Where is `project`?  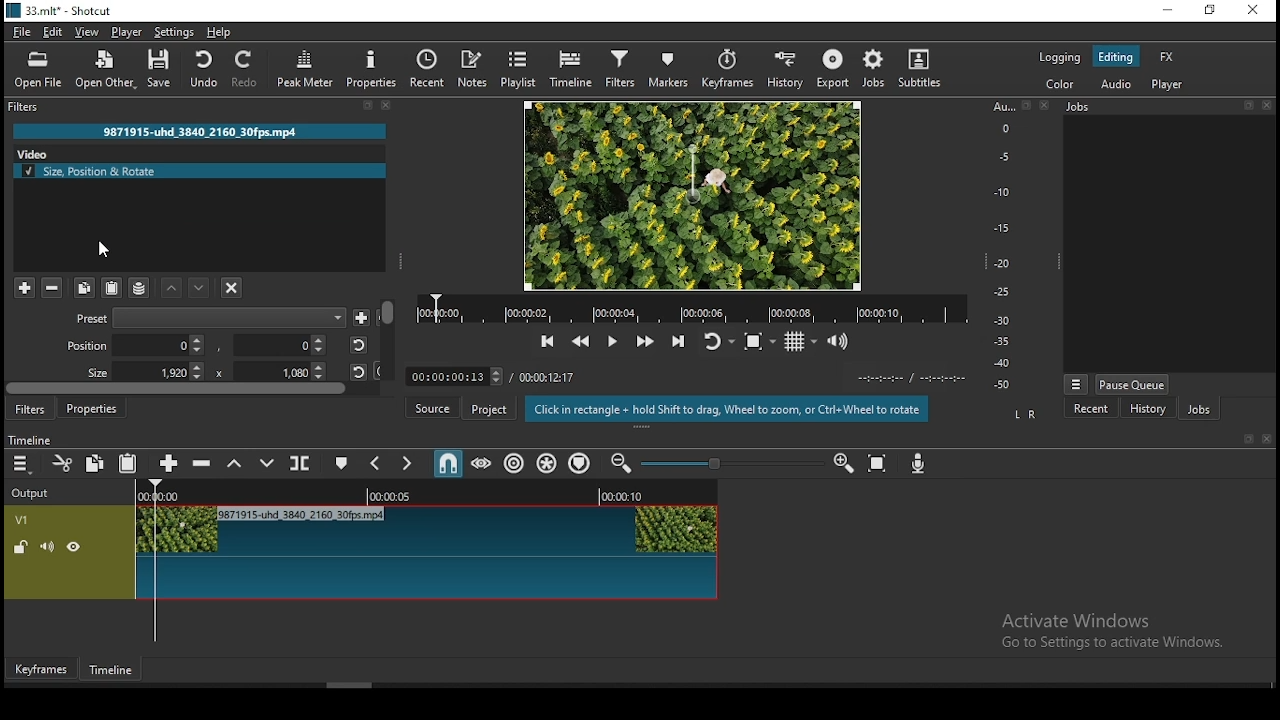
project is located at coordinates (493, 409).